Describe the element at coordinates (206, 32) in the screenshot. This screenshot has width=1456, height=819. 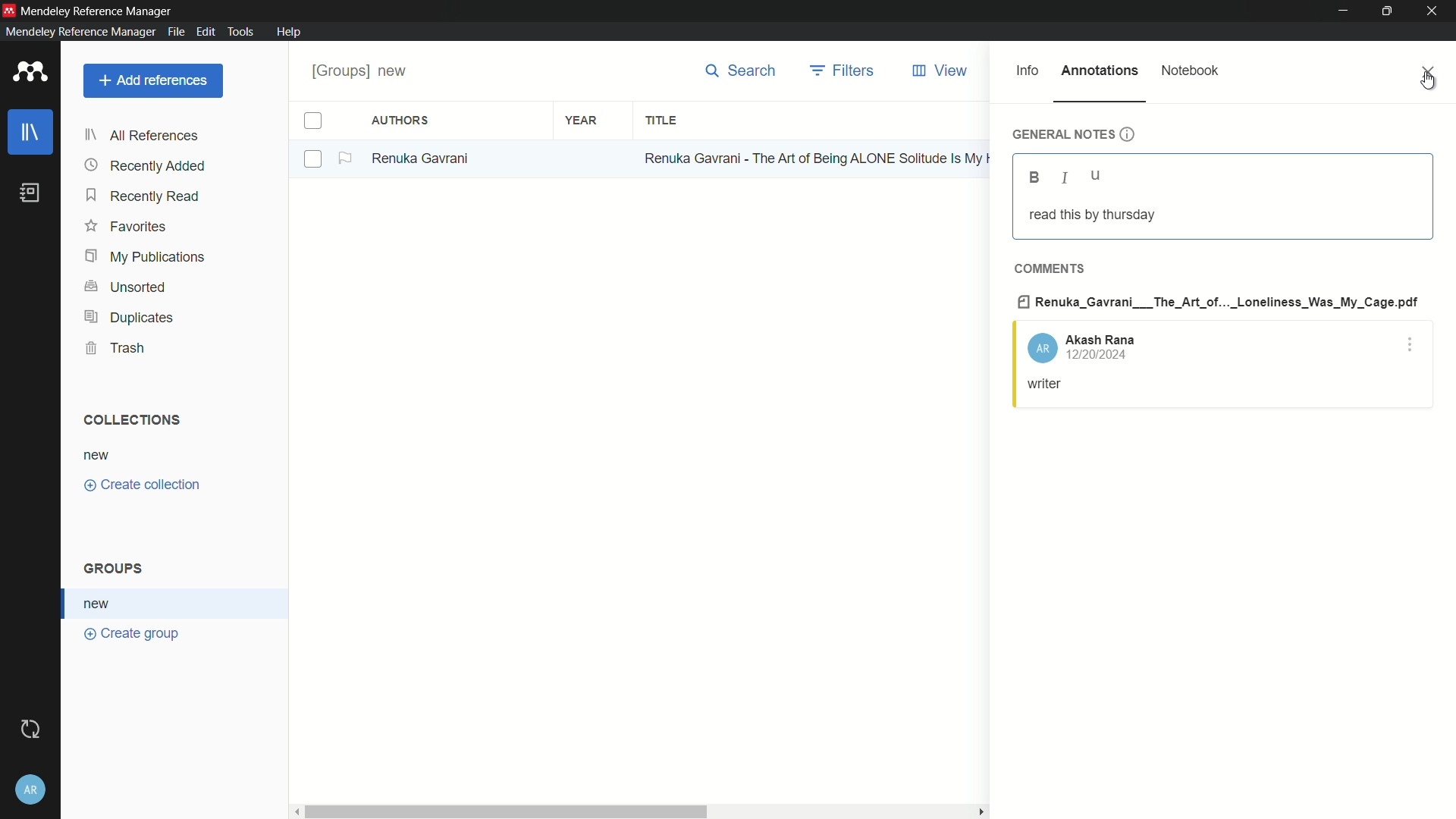
I see `edit menu` at that location.